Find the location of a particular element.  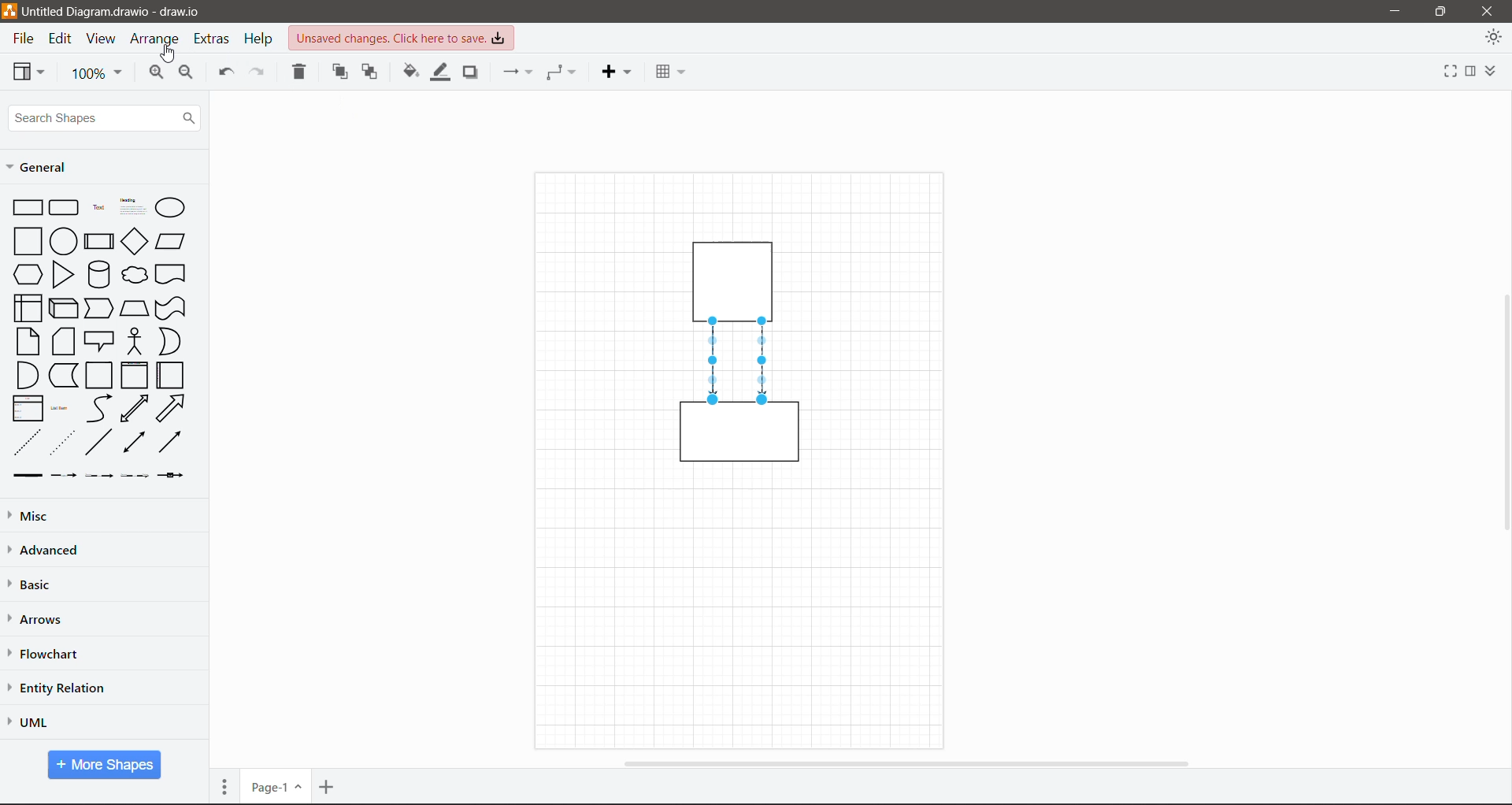

Step is located at coordinates (99, 306).